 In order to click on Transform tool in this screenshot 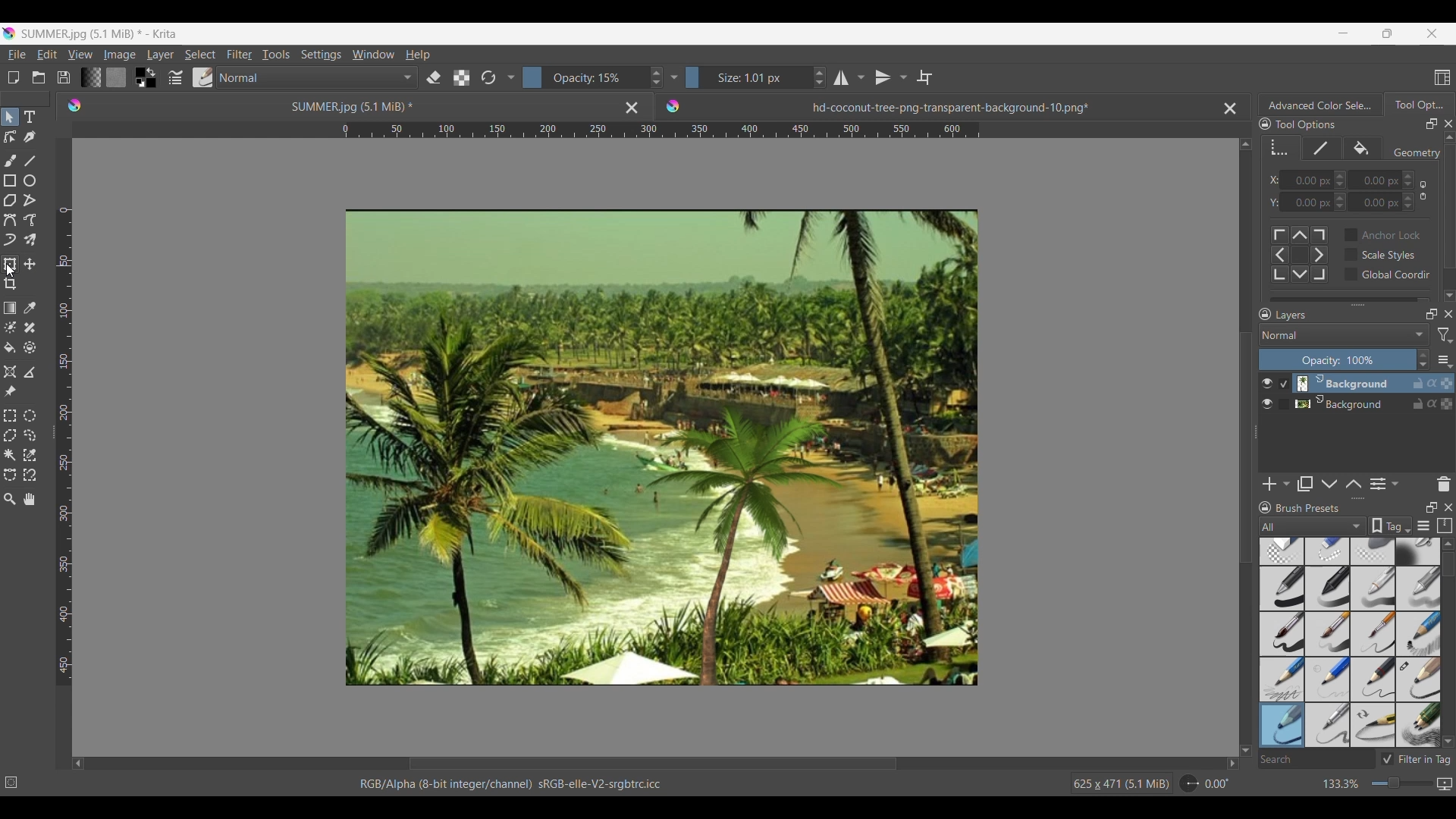, I will do `click(9, 264)`.